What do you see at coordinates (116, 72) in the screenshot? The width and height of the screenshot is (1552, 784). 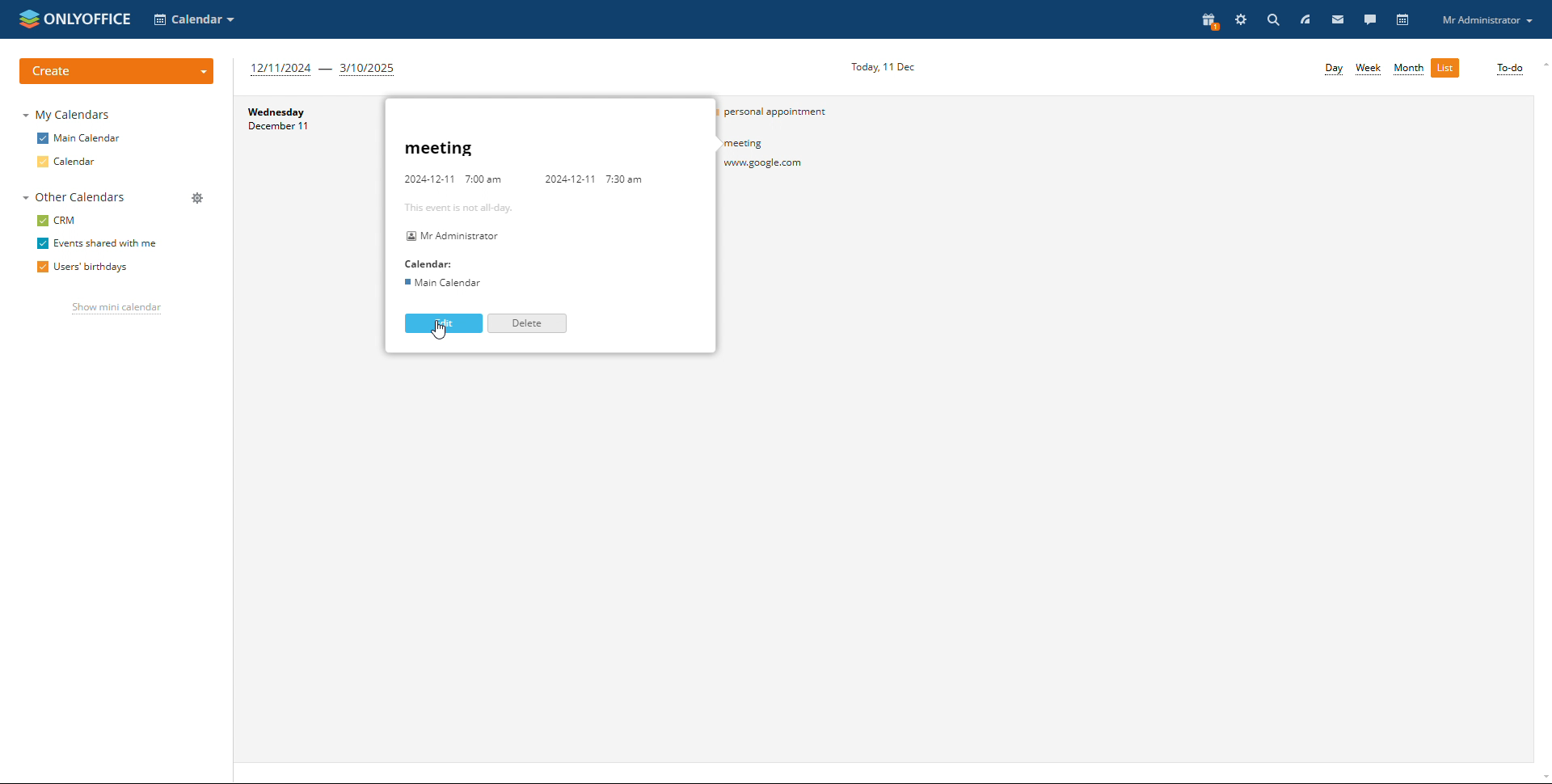 I see `create` at bounding box center [116, 72].